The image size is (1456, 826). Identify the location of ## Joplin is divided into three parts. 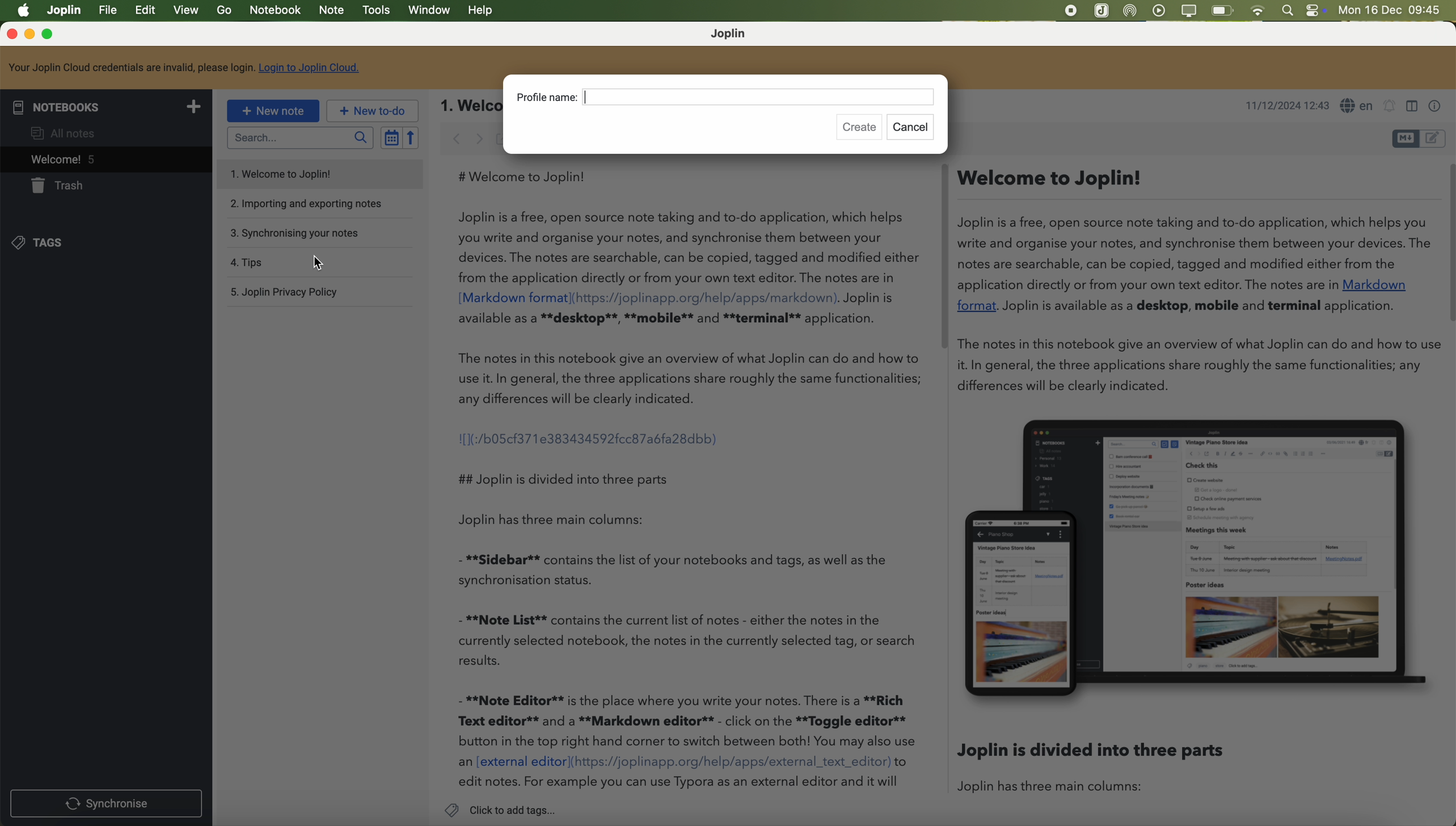
(563, 478).